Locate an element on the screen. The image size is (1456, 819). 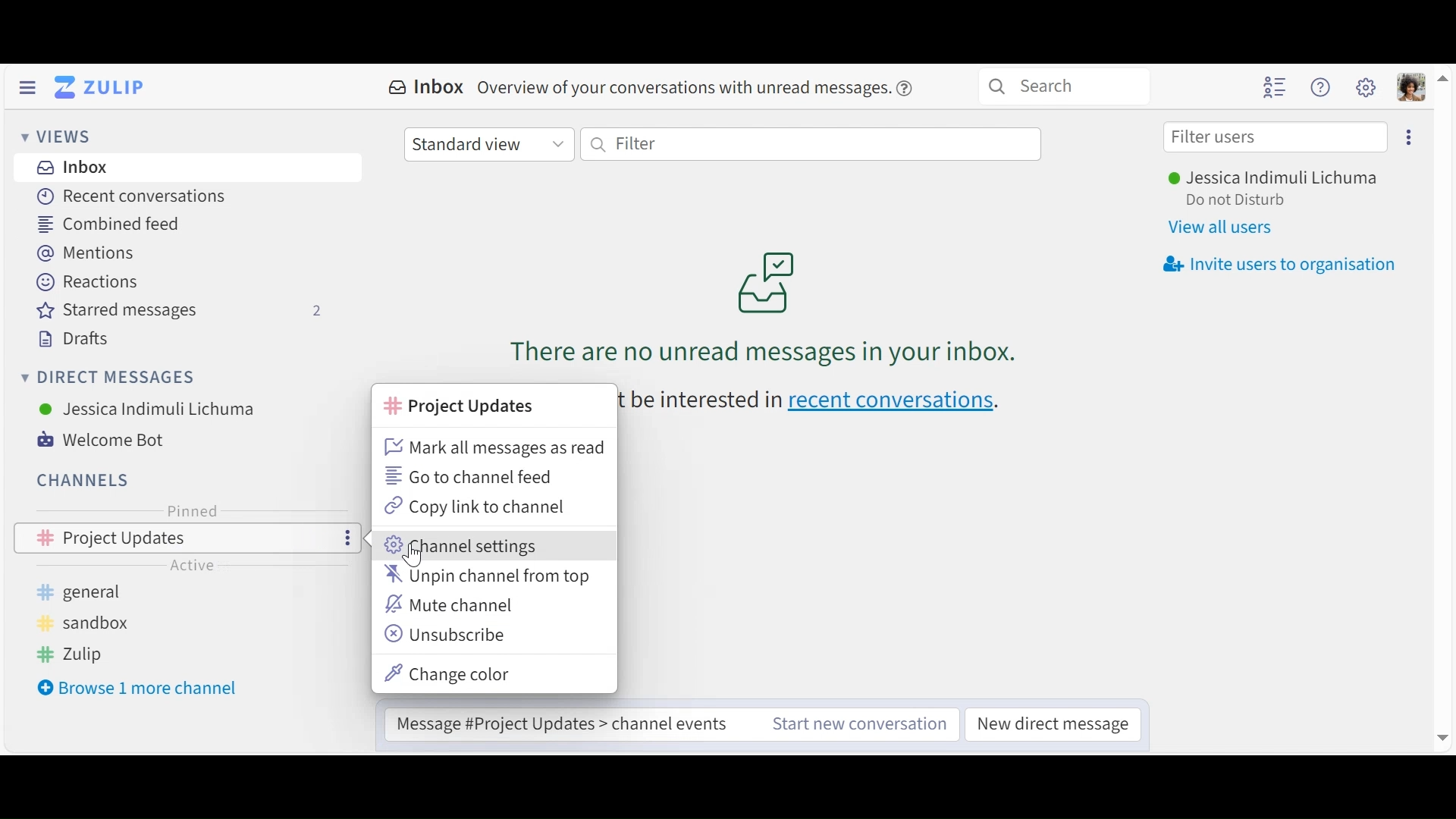
Start new conversation is located at coordinates (859, 726).